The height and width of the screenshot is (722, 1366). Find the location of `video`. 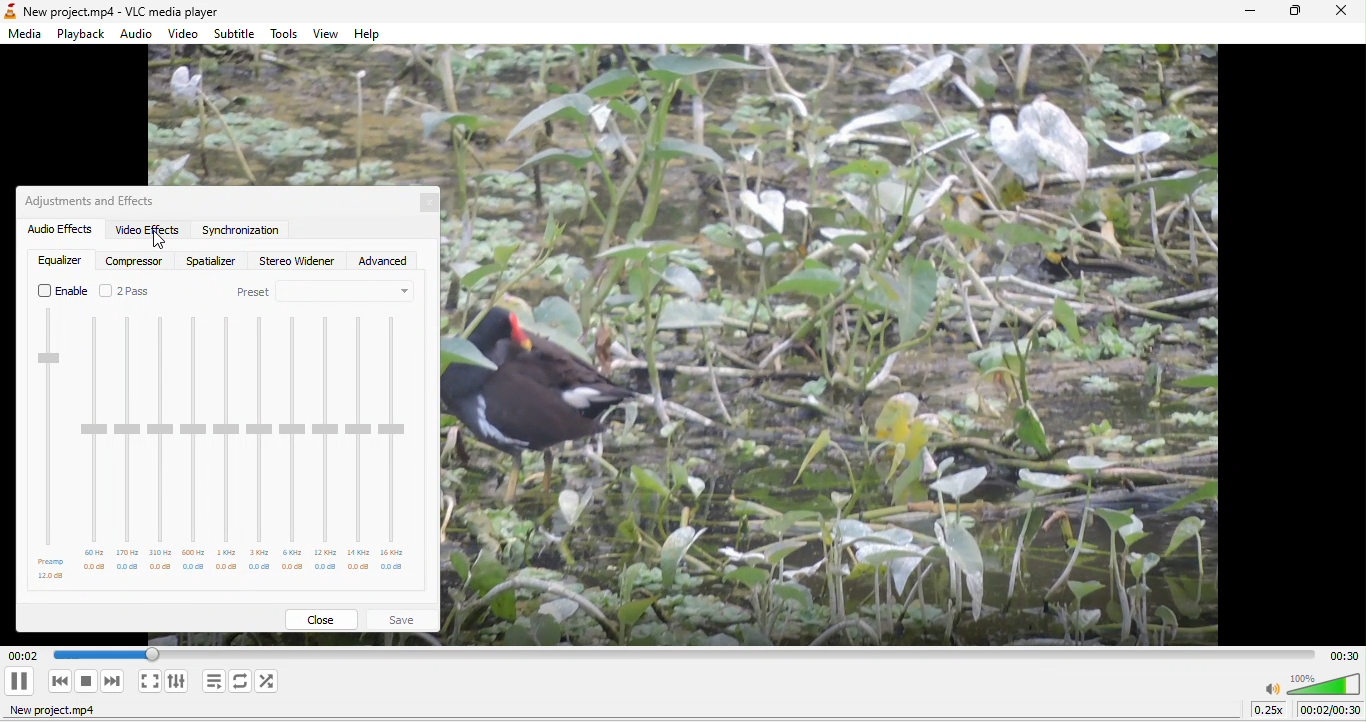

video is located at coordinates (185, 34).